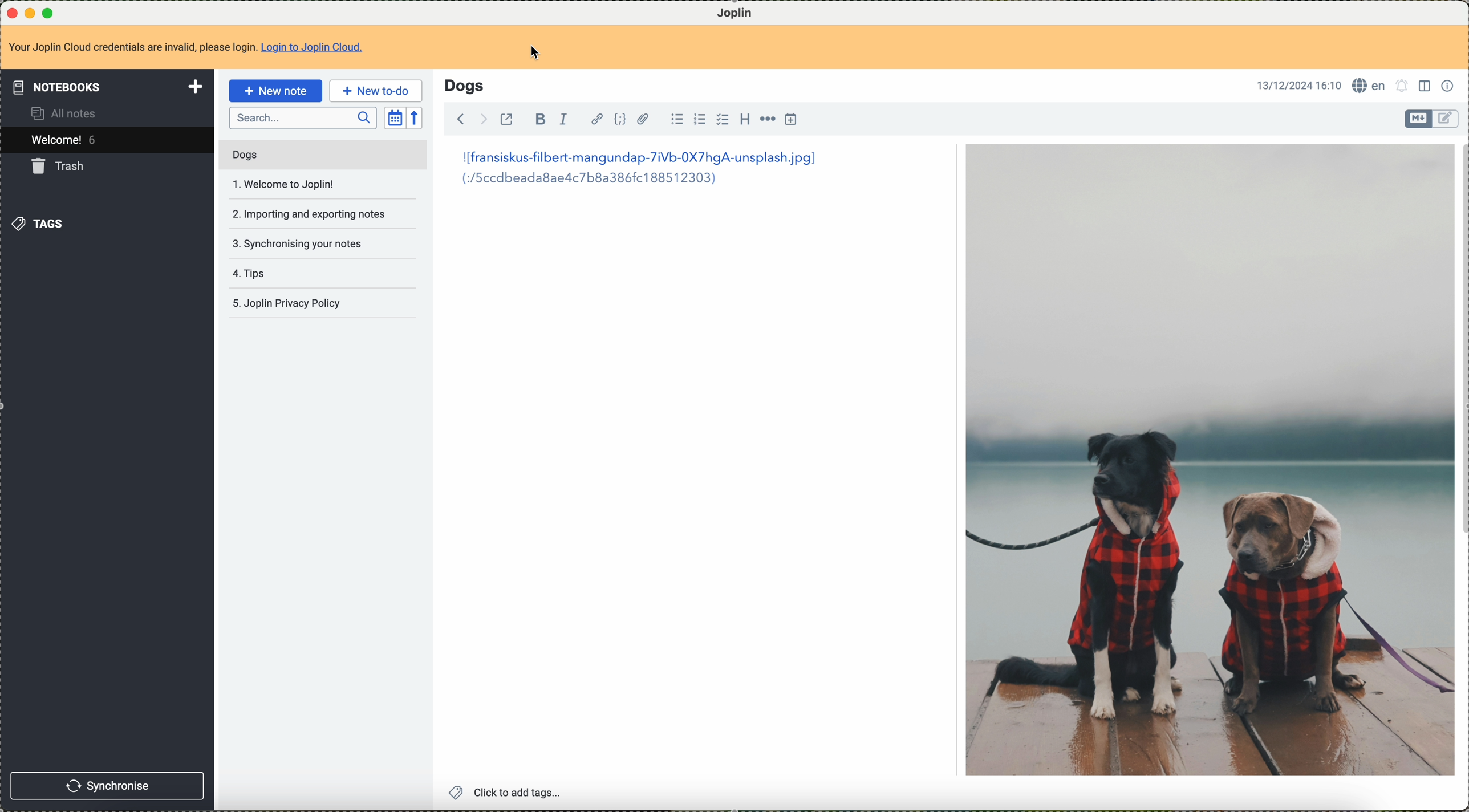 This screenshot has width=1469, height=812. I want to click on italic, so click(563, 120).